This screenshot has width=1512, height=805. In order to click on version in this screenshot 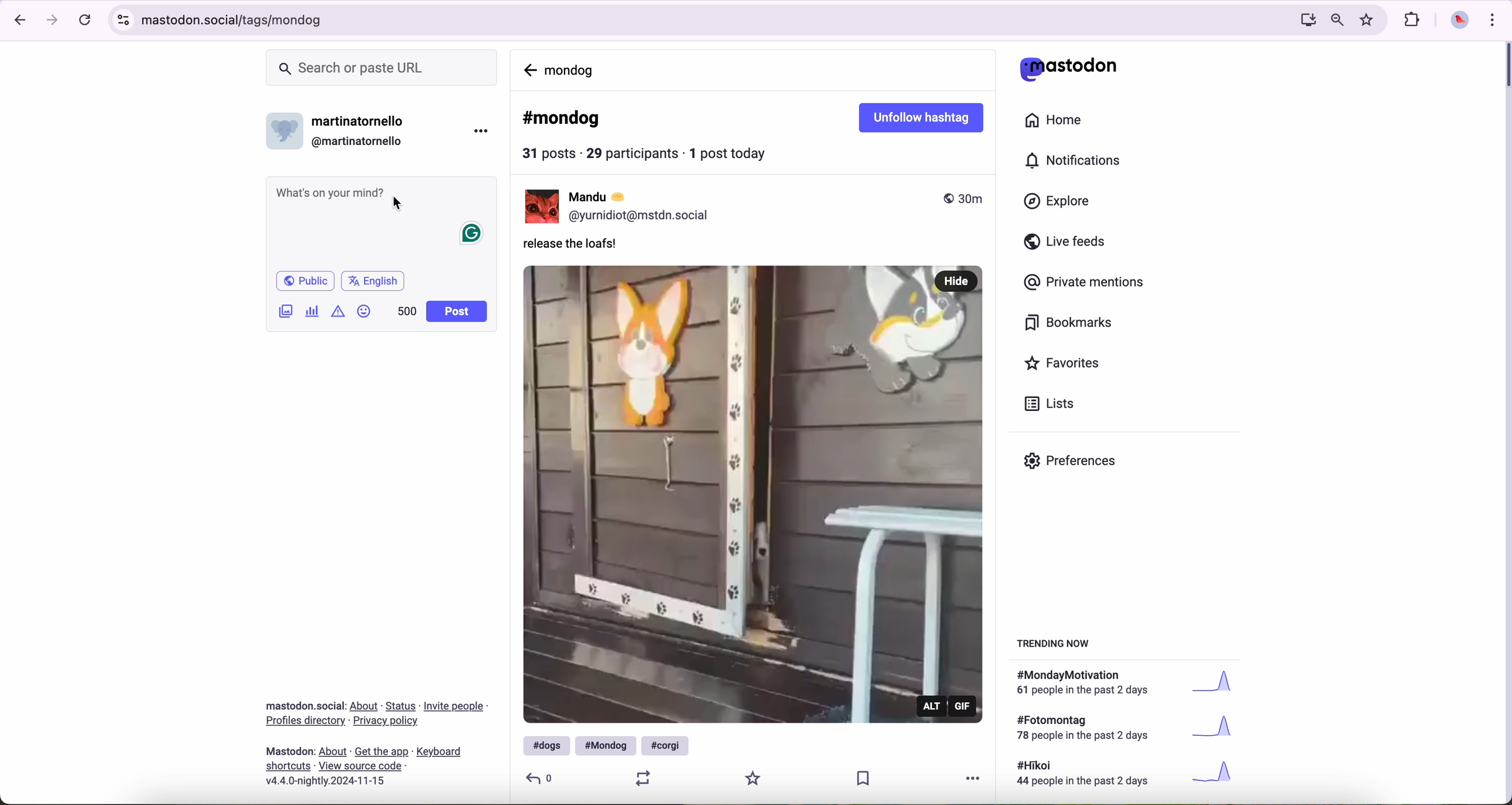, I will do `click(325, 782)`.